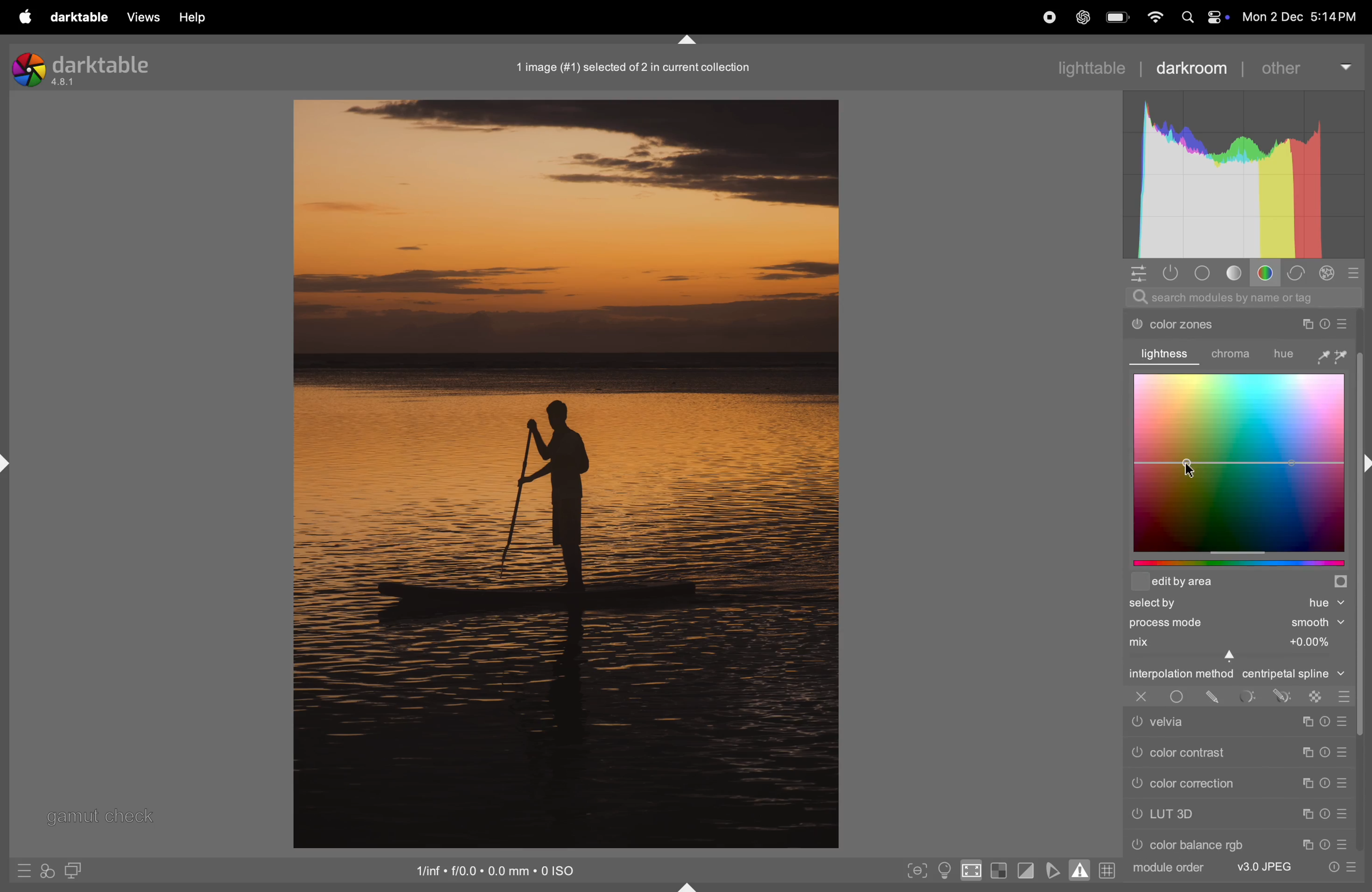 Image resolution: width=1372 pixels, height=892 pixels. I want to click on toggle clor assment, so click(944, 870).